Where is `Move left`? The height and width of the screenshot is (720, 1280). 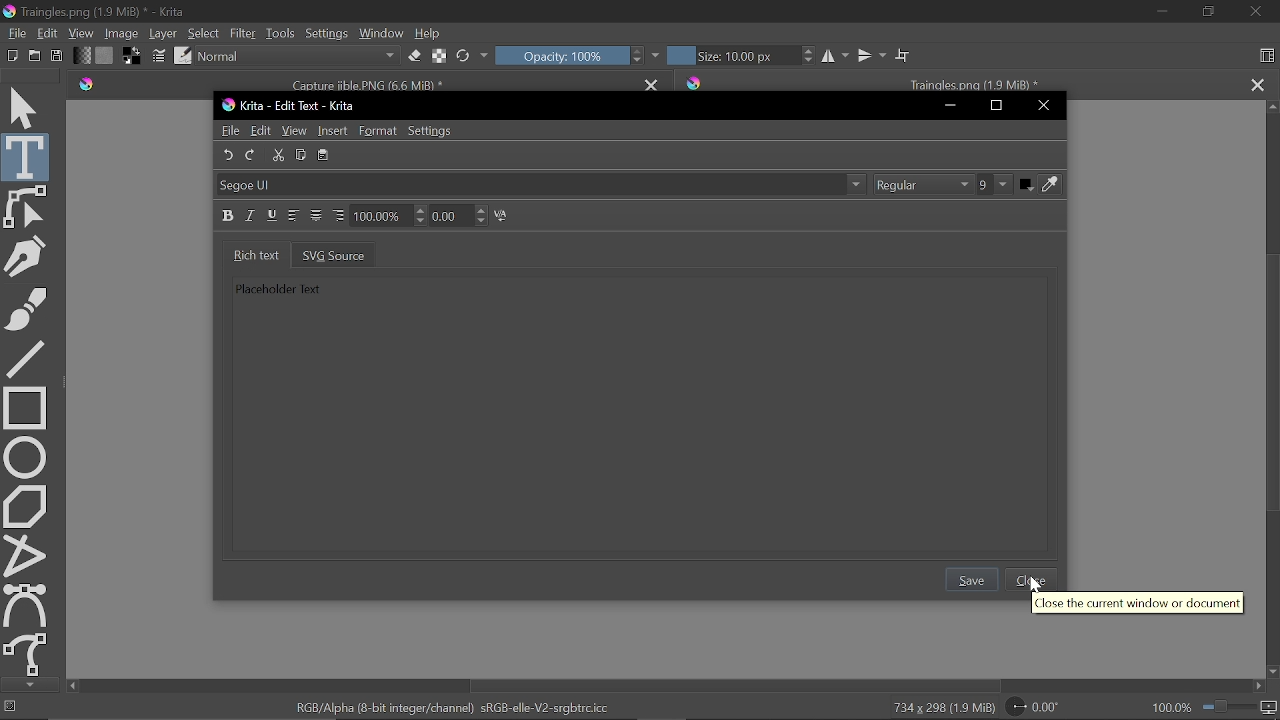
Move left is located at coordinates (72, 686).